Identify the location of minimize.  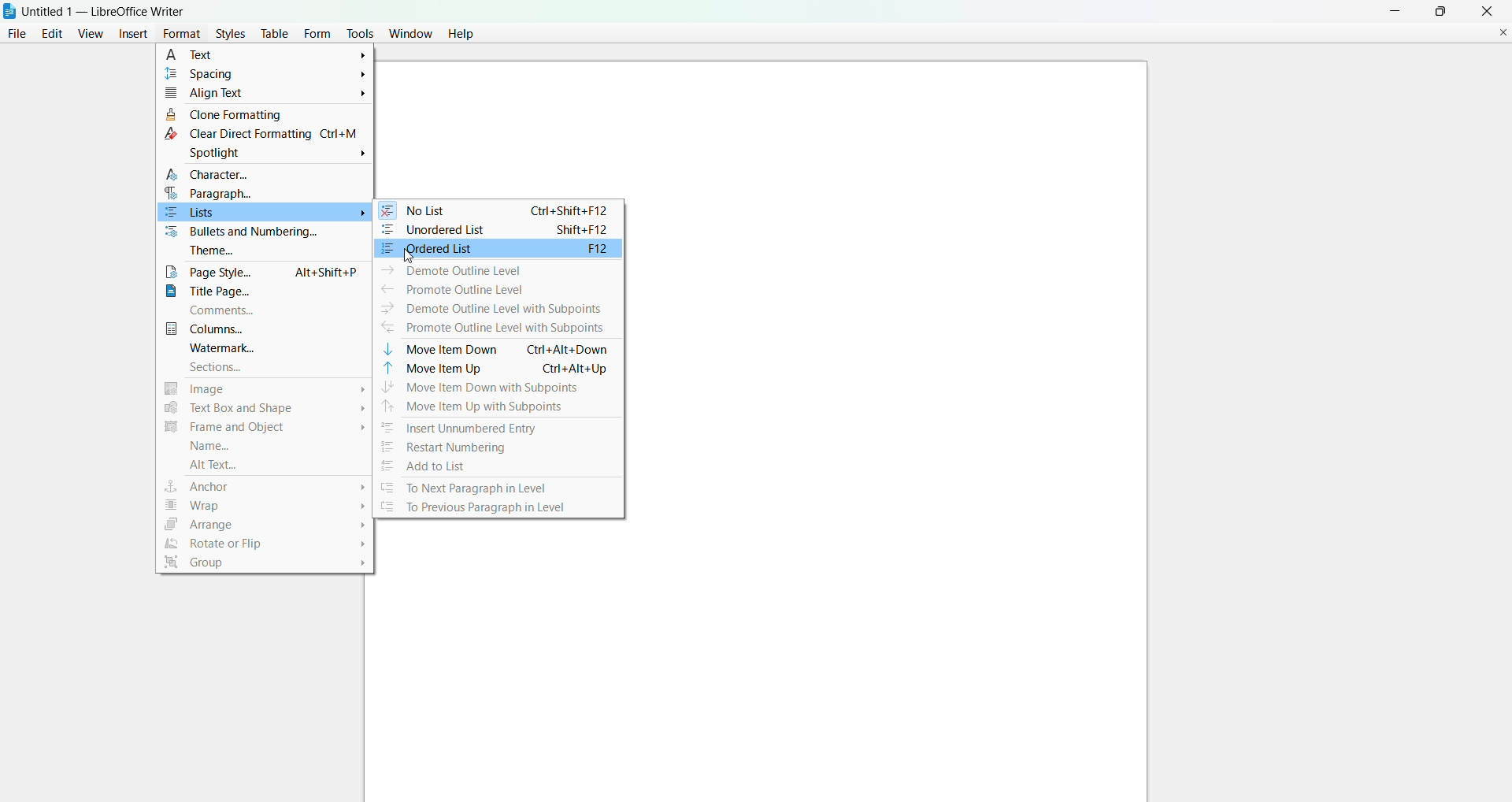
(1391, 10).